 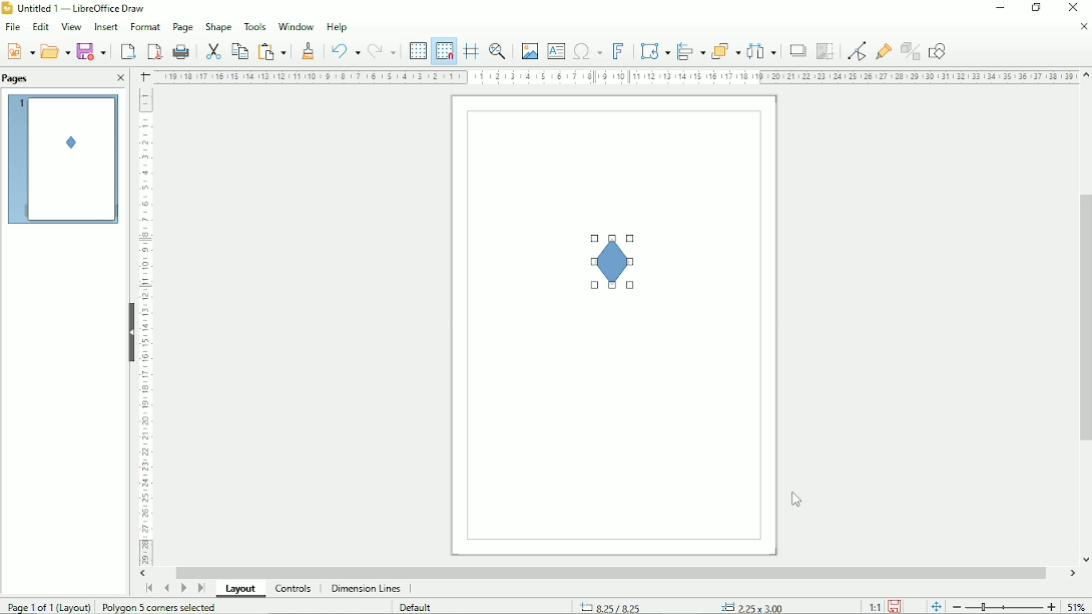 What do you see at coordinates (384, 49) in the screenshot?
I see `Redo` at bounding box center [384, 49].